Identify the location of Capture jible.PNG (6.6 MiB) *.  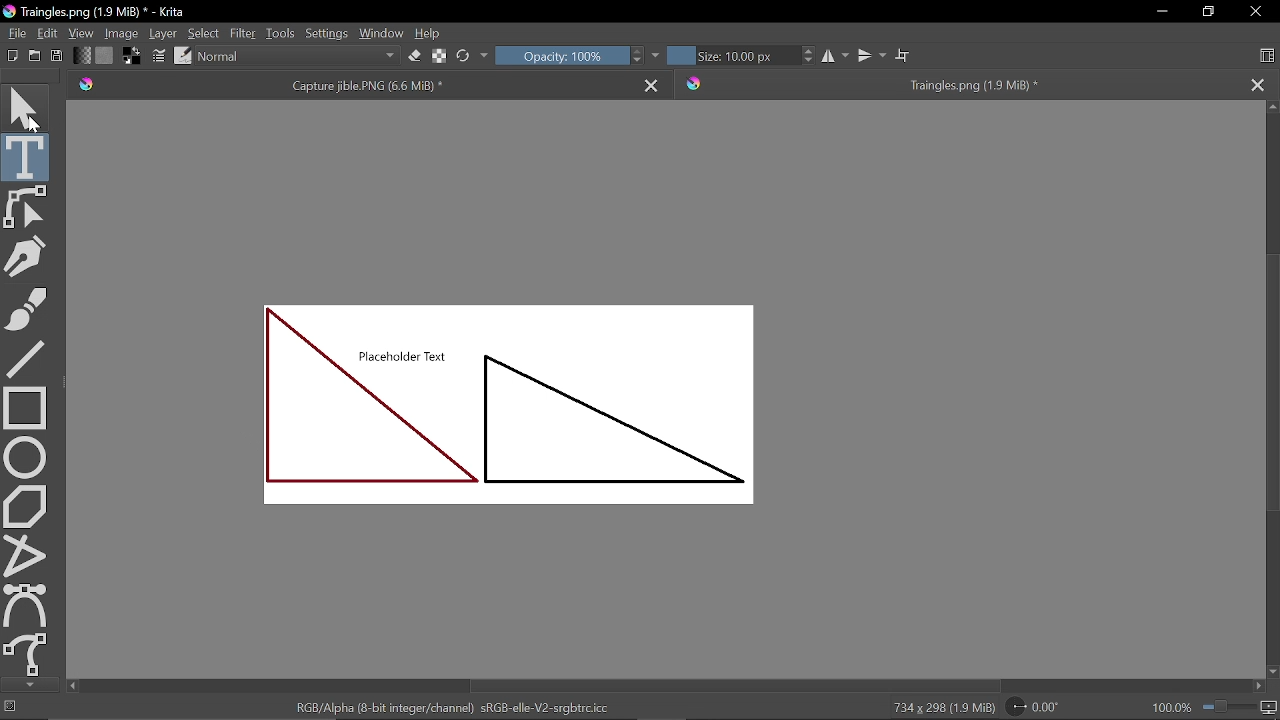
(354, 85).